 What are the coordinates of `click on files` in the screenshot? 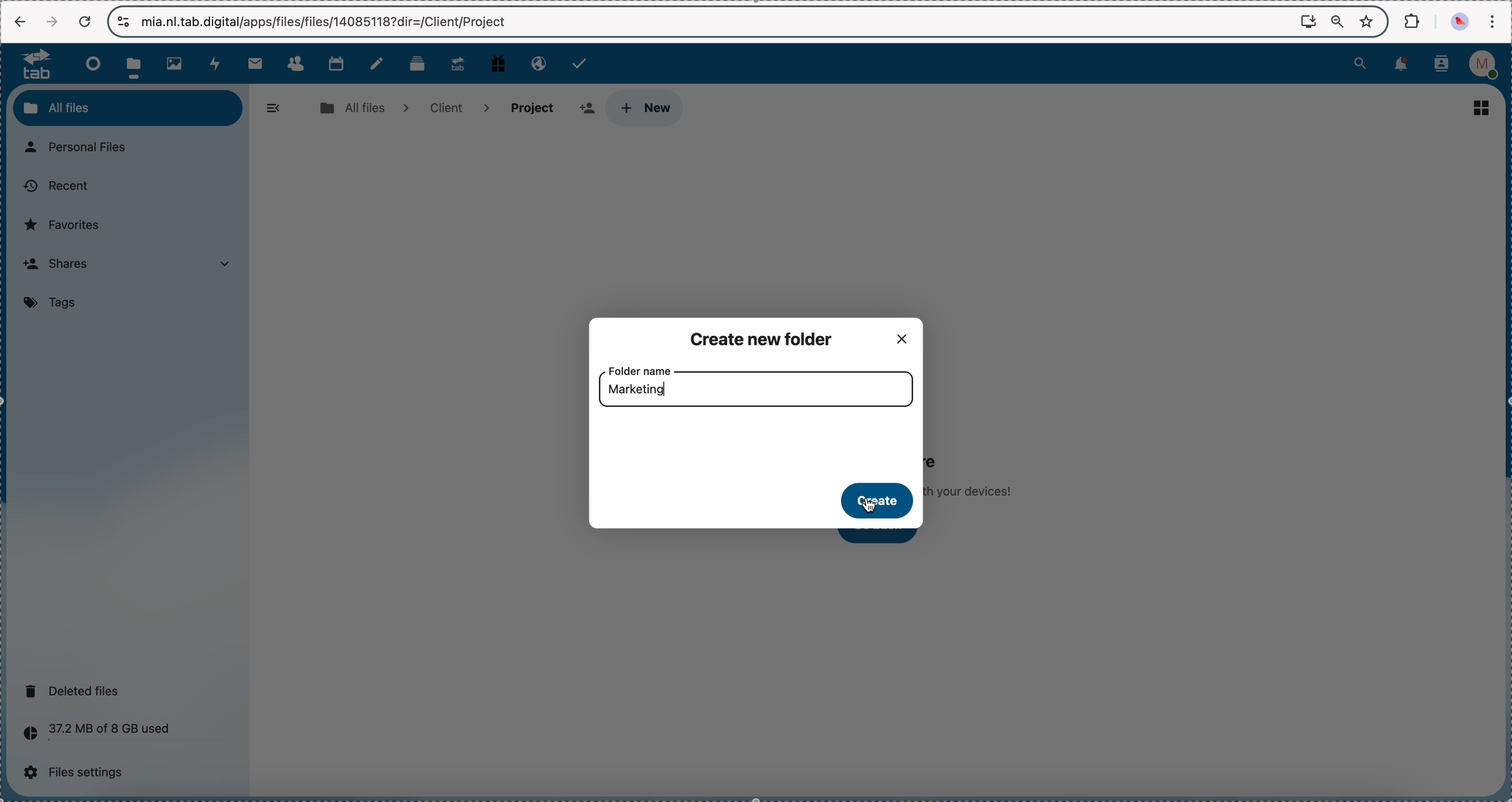 It's located at (137, 63).